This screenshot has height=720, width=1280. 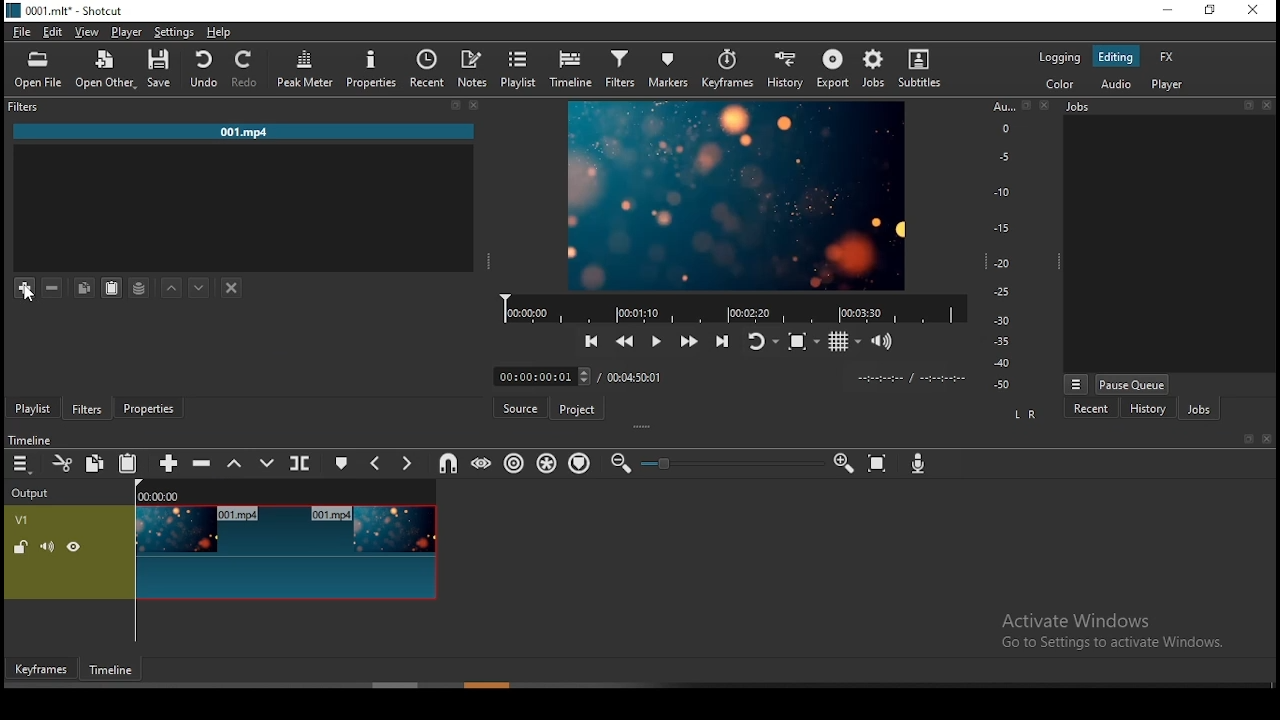 What do you see at coordinates (150, 409) in the screenshot?
I see `properties` at bounding box center [150, 409].